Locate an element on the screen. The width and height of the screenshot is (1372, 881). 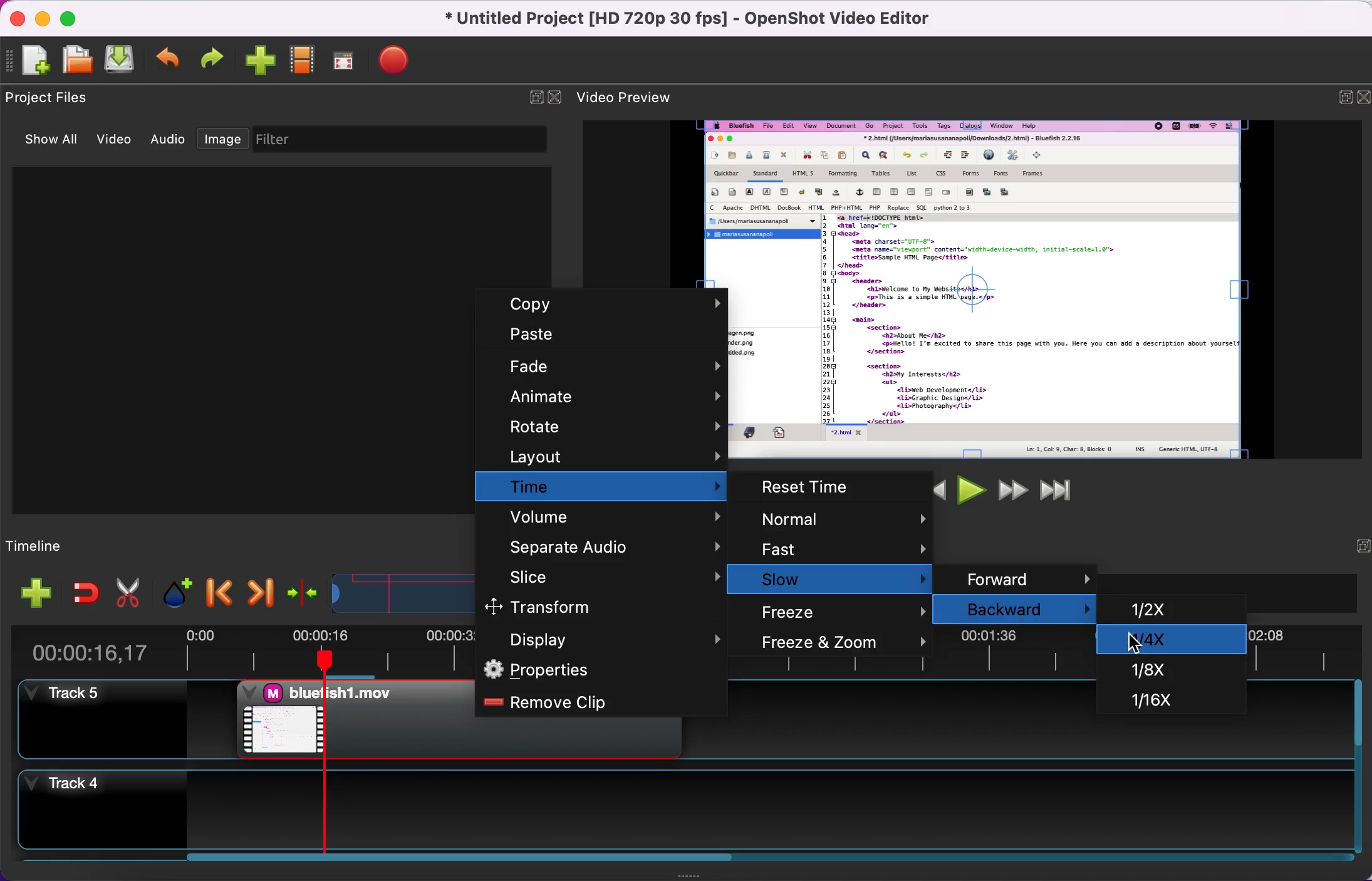
time duration is located at coordinates (105, 647).